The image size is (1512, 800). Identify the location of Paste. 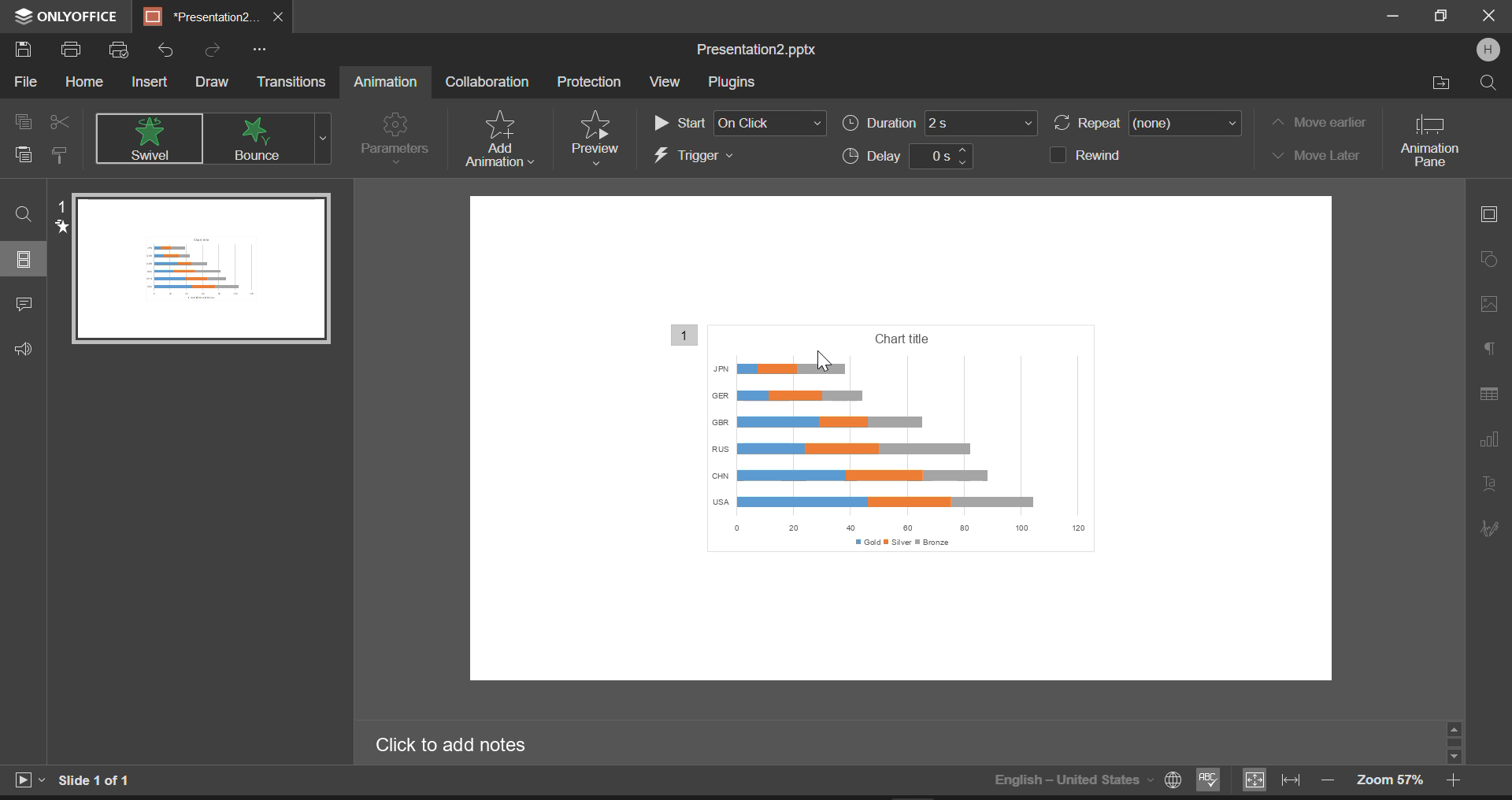
(24, 157).